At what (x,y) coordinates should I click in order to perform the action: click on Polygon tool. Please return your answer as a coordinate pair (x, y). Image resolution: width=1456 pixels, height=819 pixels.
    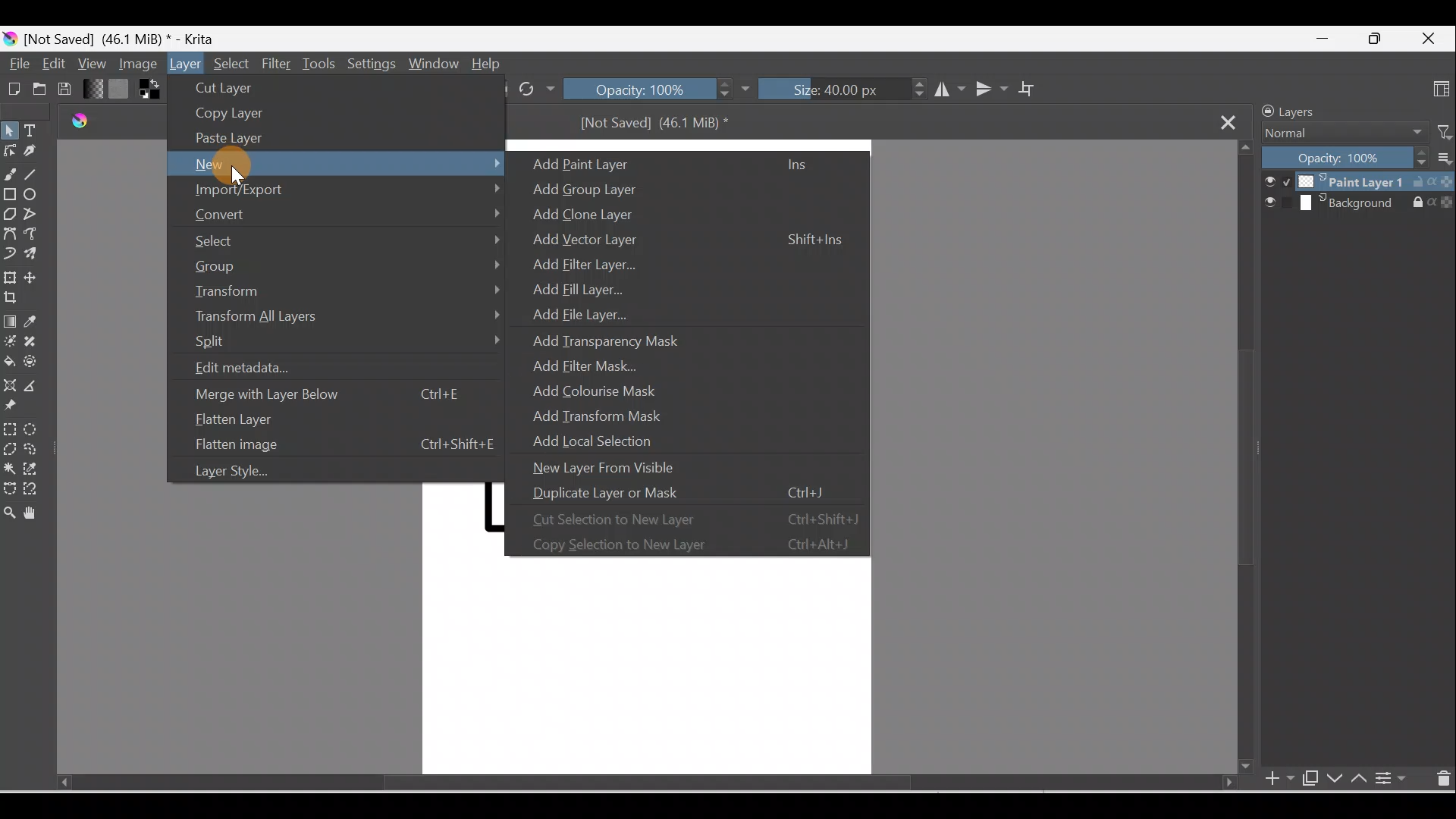
    Looking at the image, I should click on (11, 214).